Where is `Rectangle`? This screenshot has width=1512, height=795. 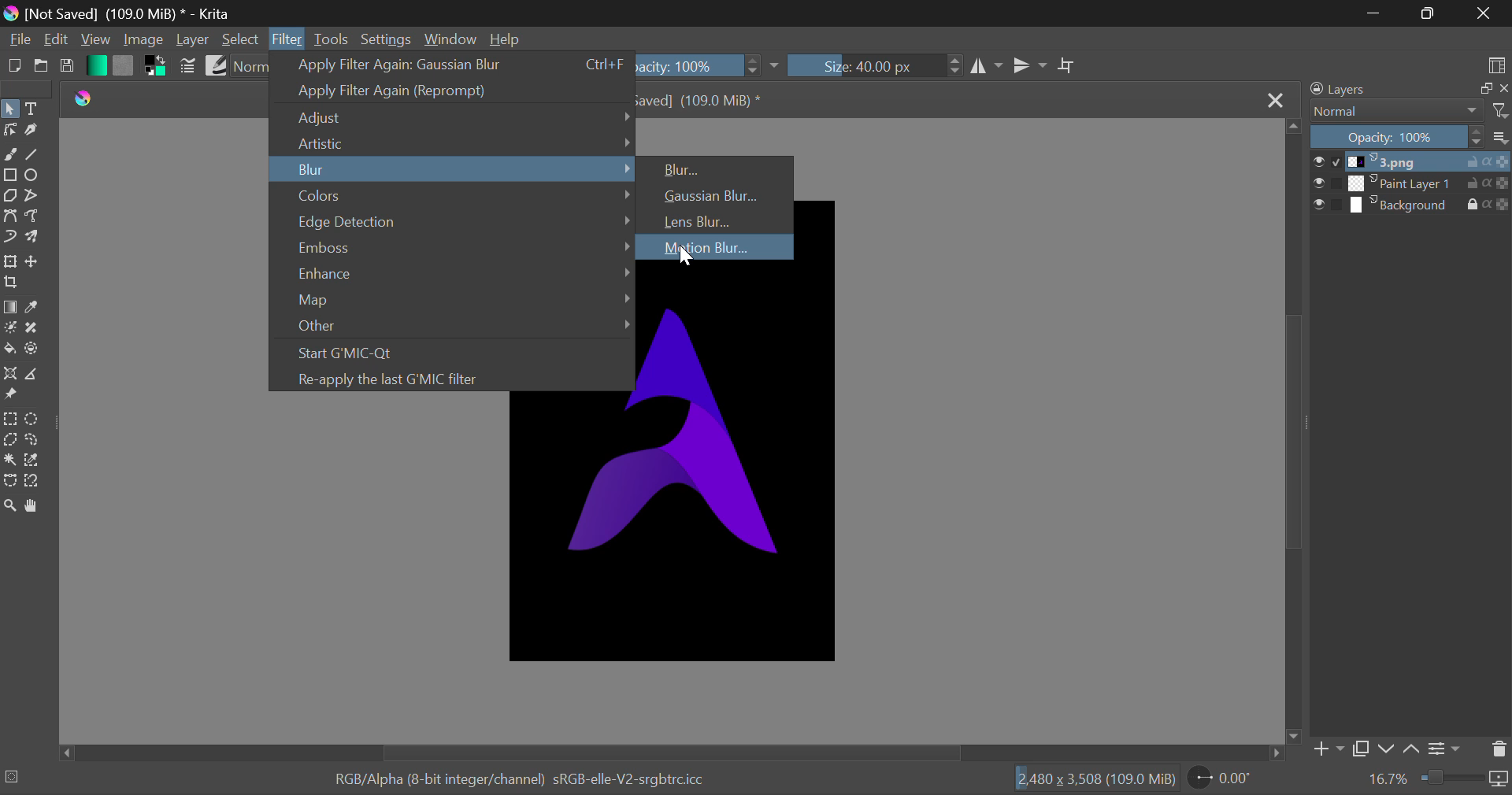 Rectangle is located at coordinates (9, 174).